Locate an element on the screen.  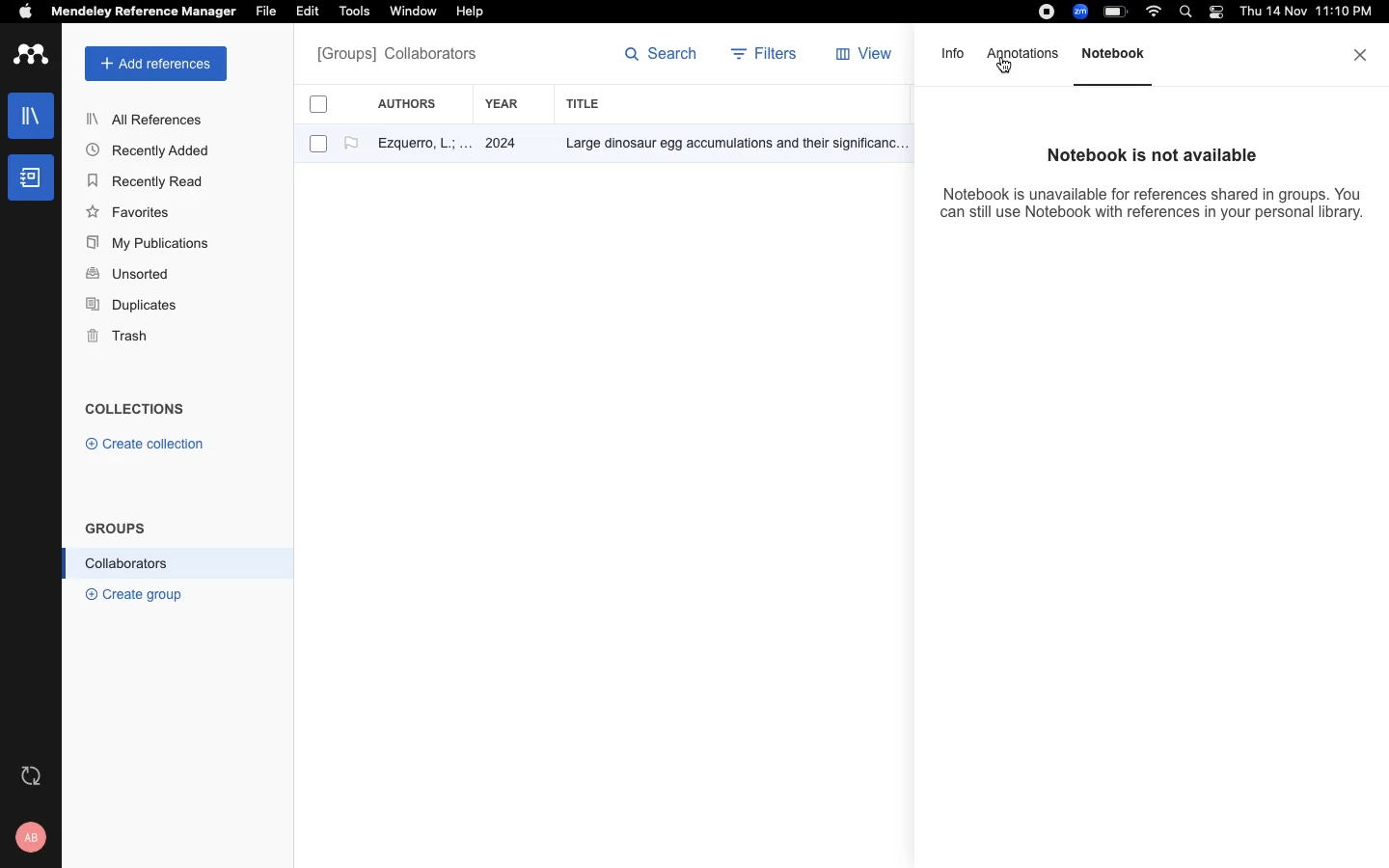
author is located at coordinates (416, 146).